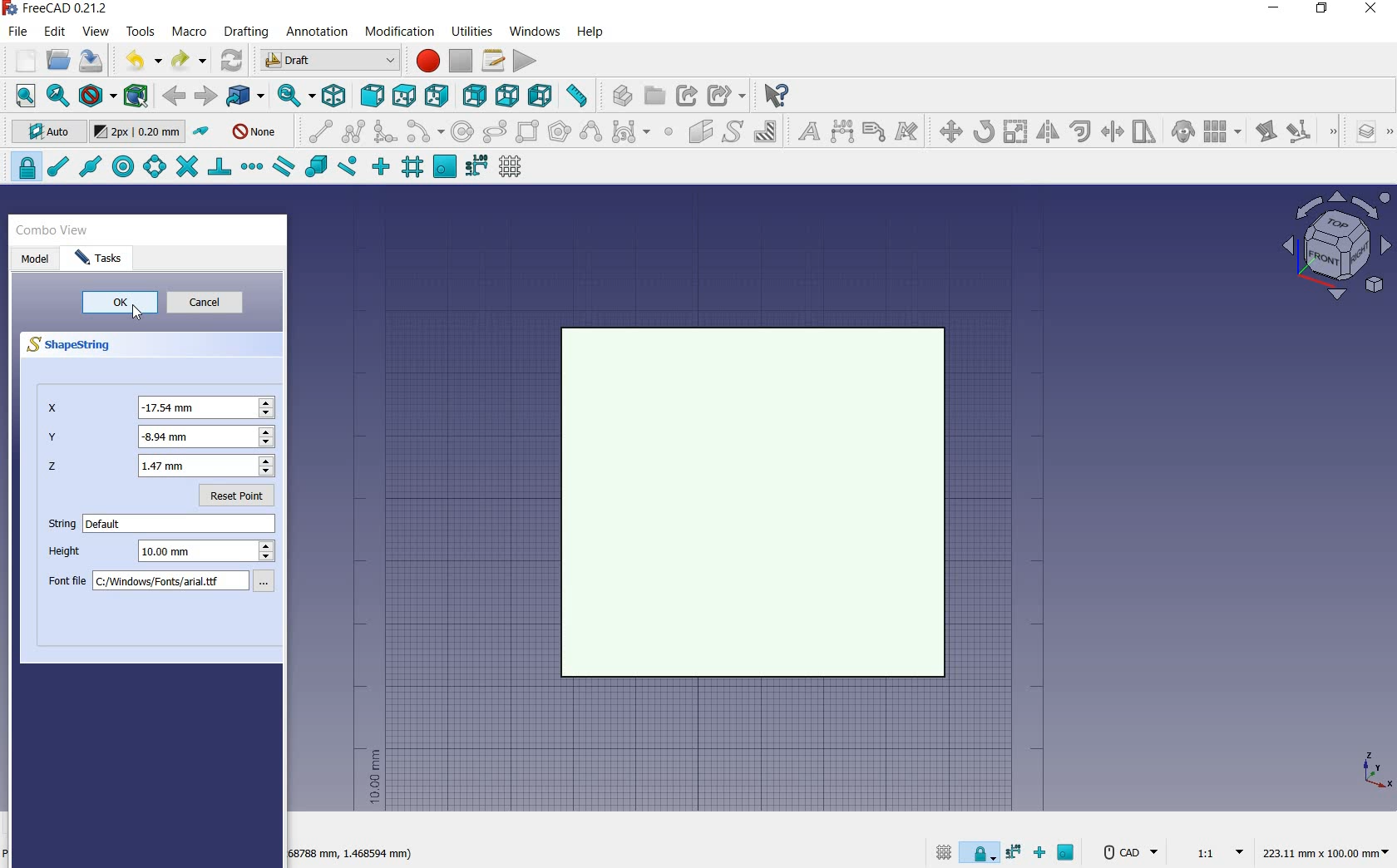  What do you see at coordinates (476, 96) in the screenshot?
I see `rear` at bounding box center [476, 96].